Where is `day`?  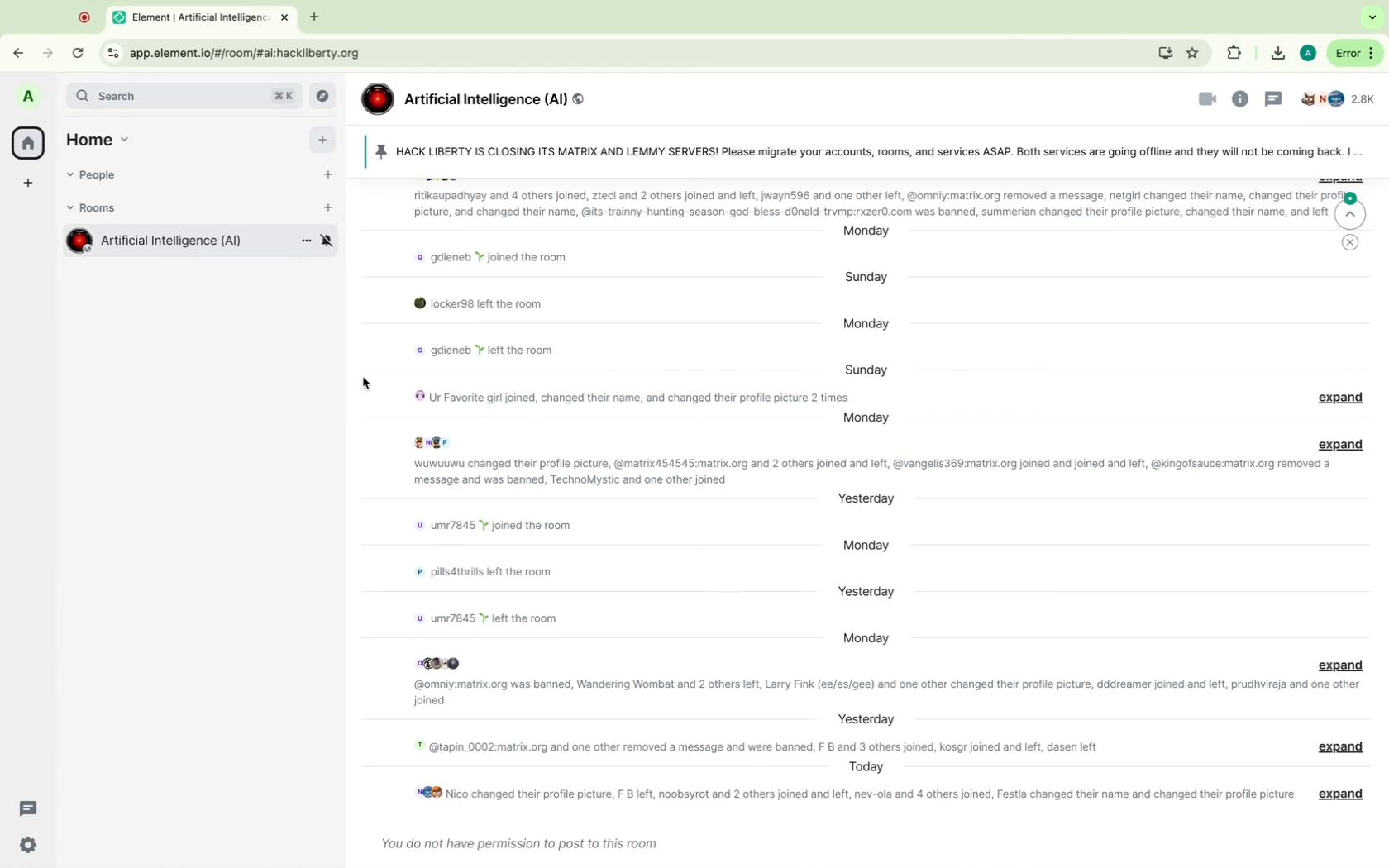 day is located at coordinates (867, 594).